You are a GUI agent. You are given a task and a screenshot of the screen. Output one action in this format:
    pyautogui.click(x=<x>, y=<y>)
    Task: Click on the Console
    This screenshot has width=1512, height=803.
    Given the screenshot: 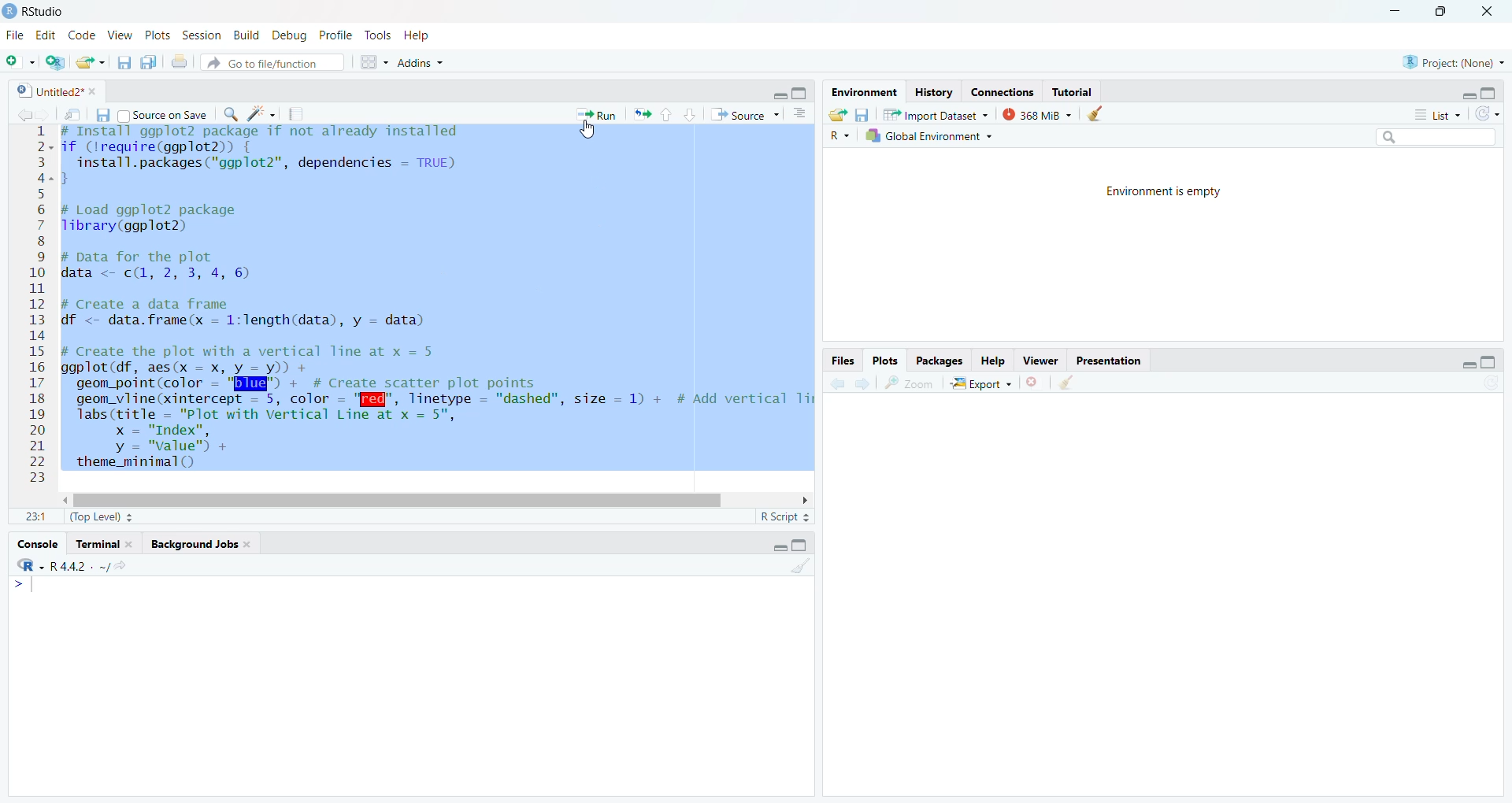 What is the action you would take?
    pyautogui.click(x=40, y=542)
    